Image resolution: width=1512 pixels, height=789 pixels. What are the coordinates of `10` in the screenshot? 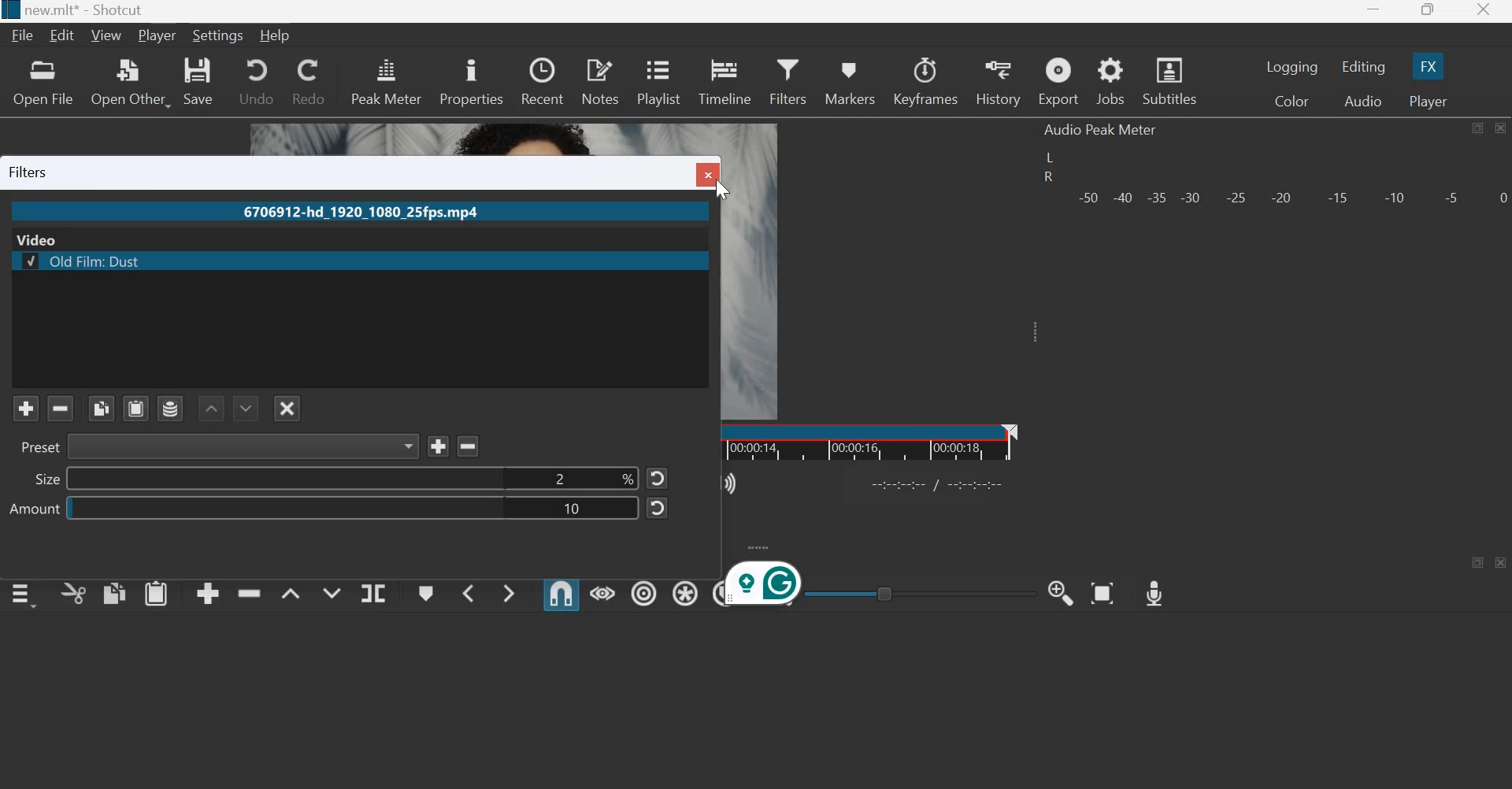 It's located at (353, 509).